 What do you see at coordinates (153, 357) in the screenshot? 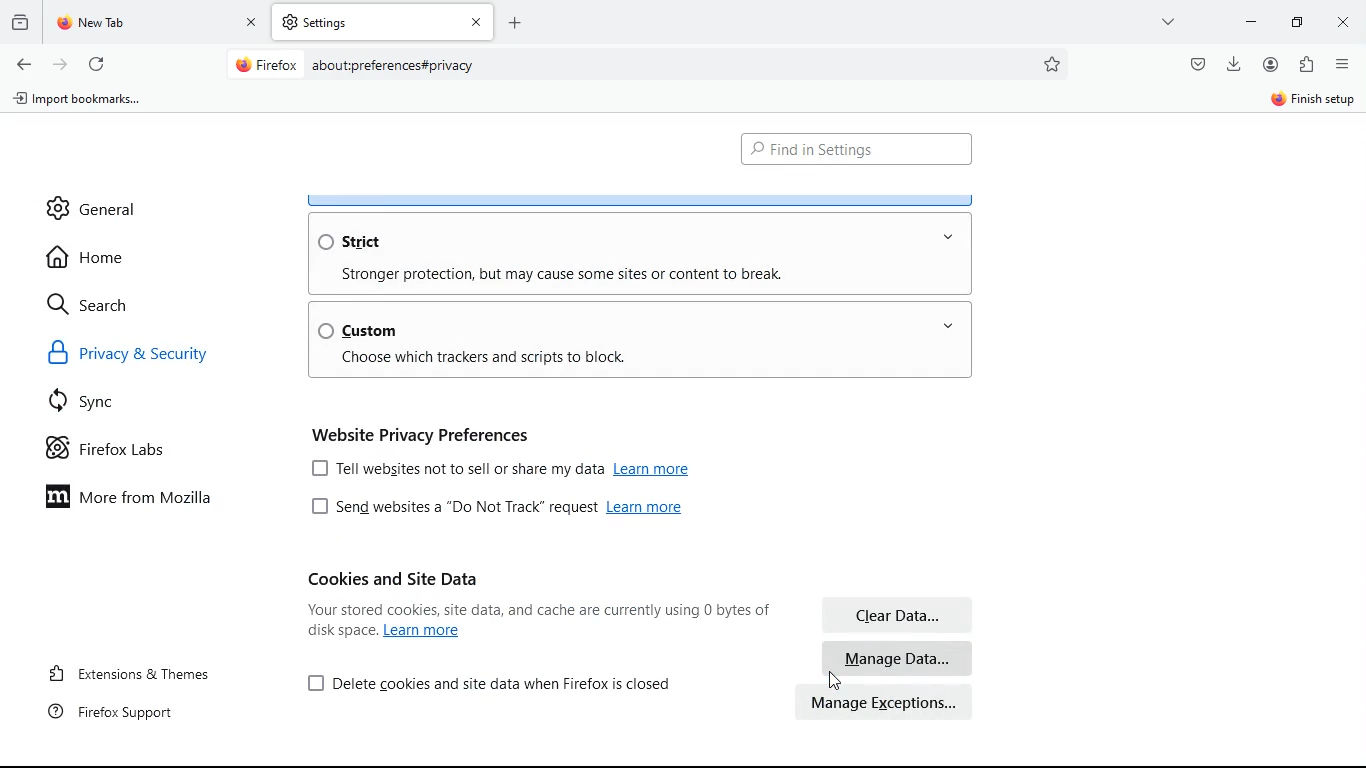
I see `privacy & security` at bounding box center [153, 357].